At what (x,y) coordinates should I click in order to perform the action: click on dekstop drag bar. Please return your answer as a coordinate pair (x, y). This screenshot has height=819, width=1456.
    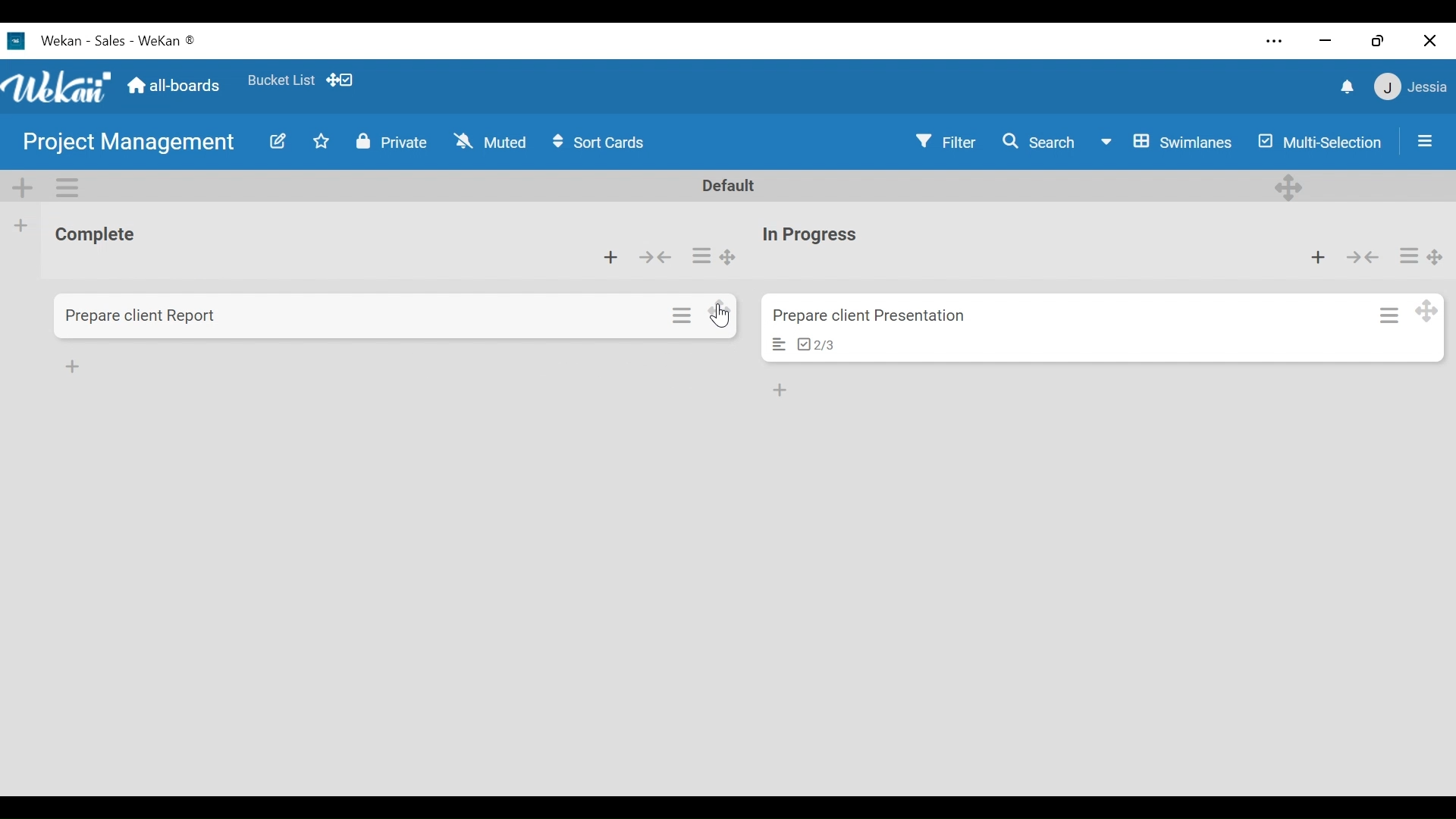
    Looking at the image, I should click on (347, 80).